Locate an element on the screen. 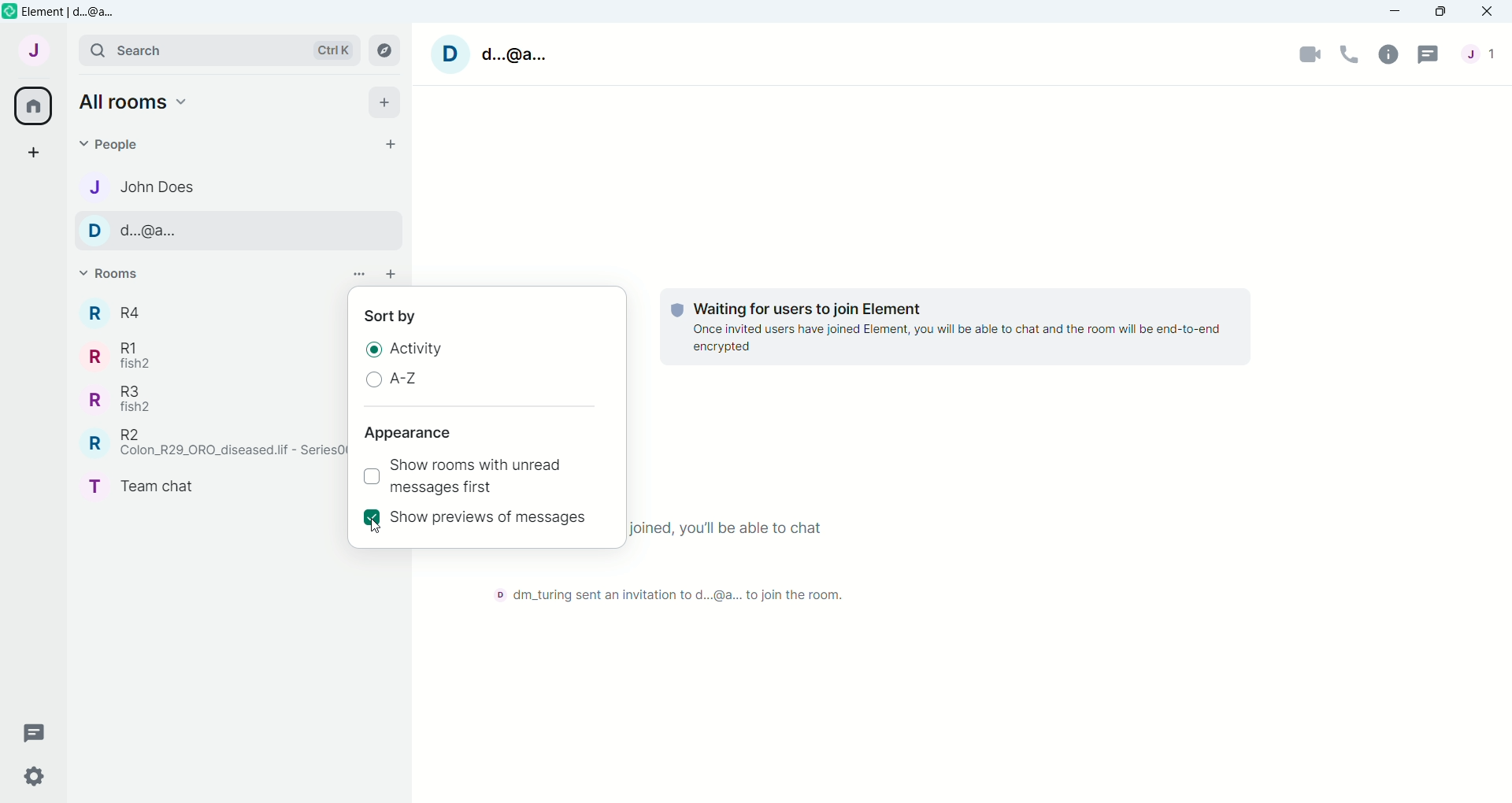 This screenshot has height=803, width=1512. Unselected radio button is located at coordinates (374, 378).